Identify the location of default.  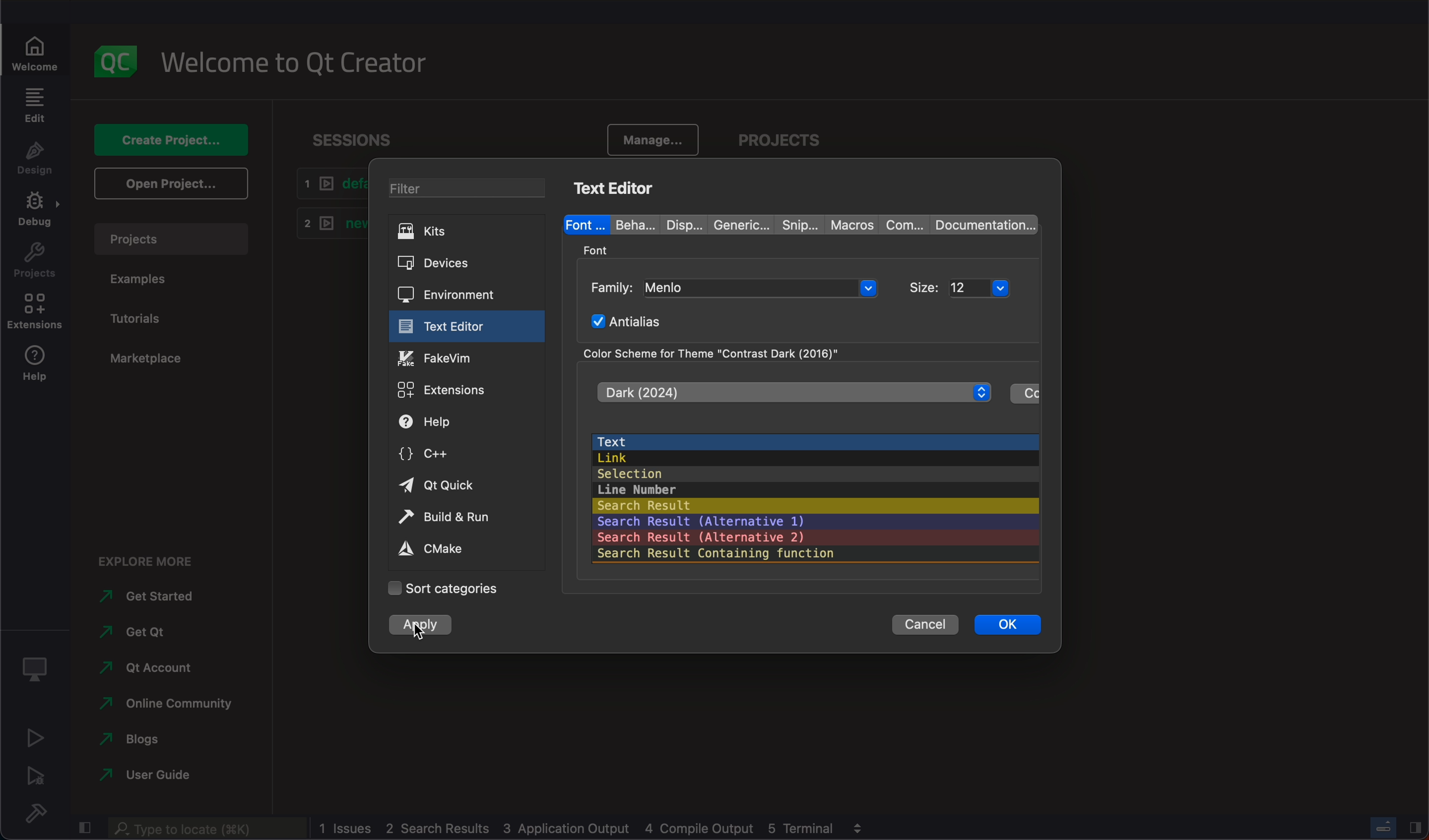
(328, 184).